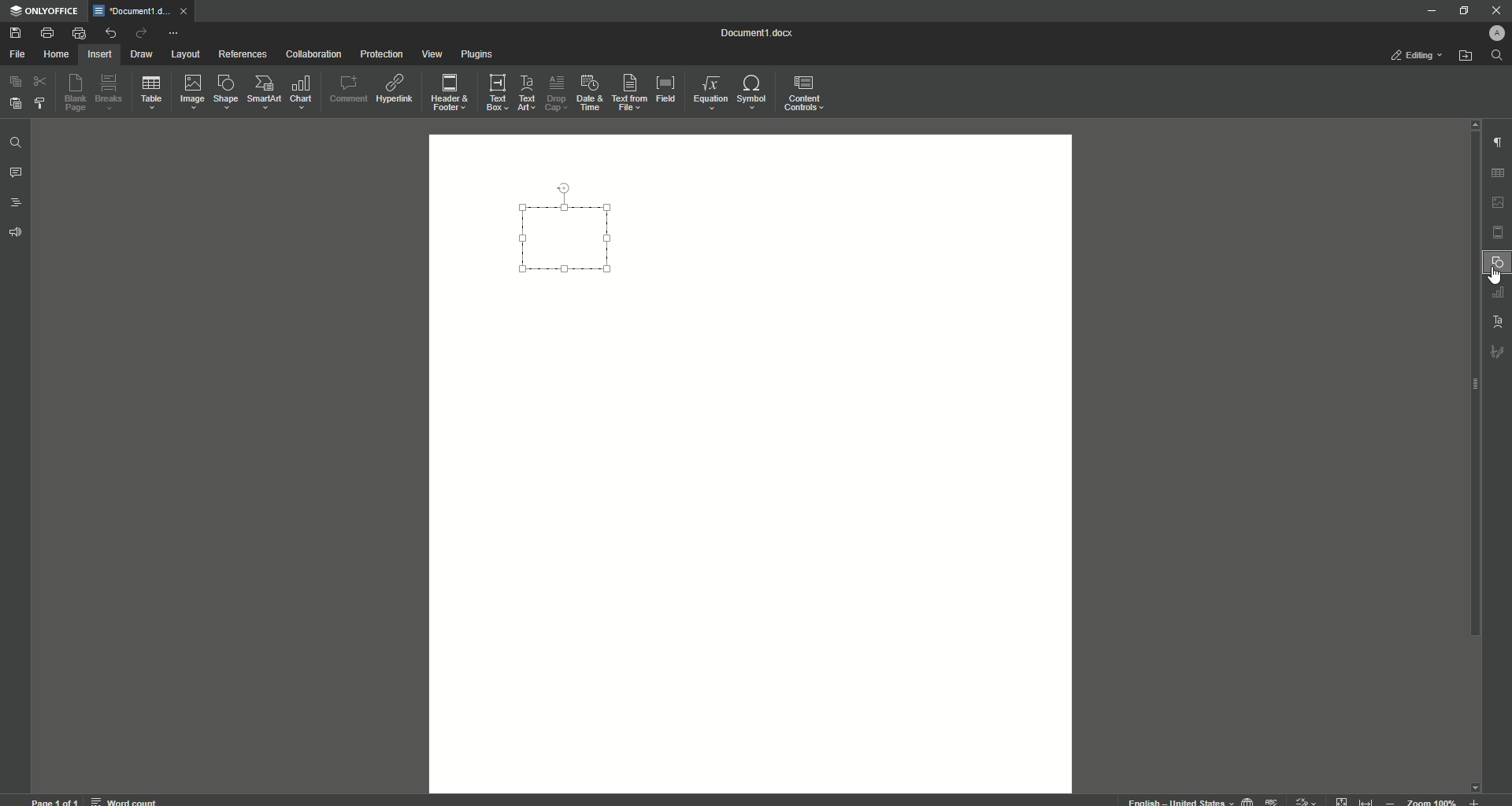  What do you see at coordinates (1499, 202) in the screenshot?
I see `image` at bounding box center [1499, 202].